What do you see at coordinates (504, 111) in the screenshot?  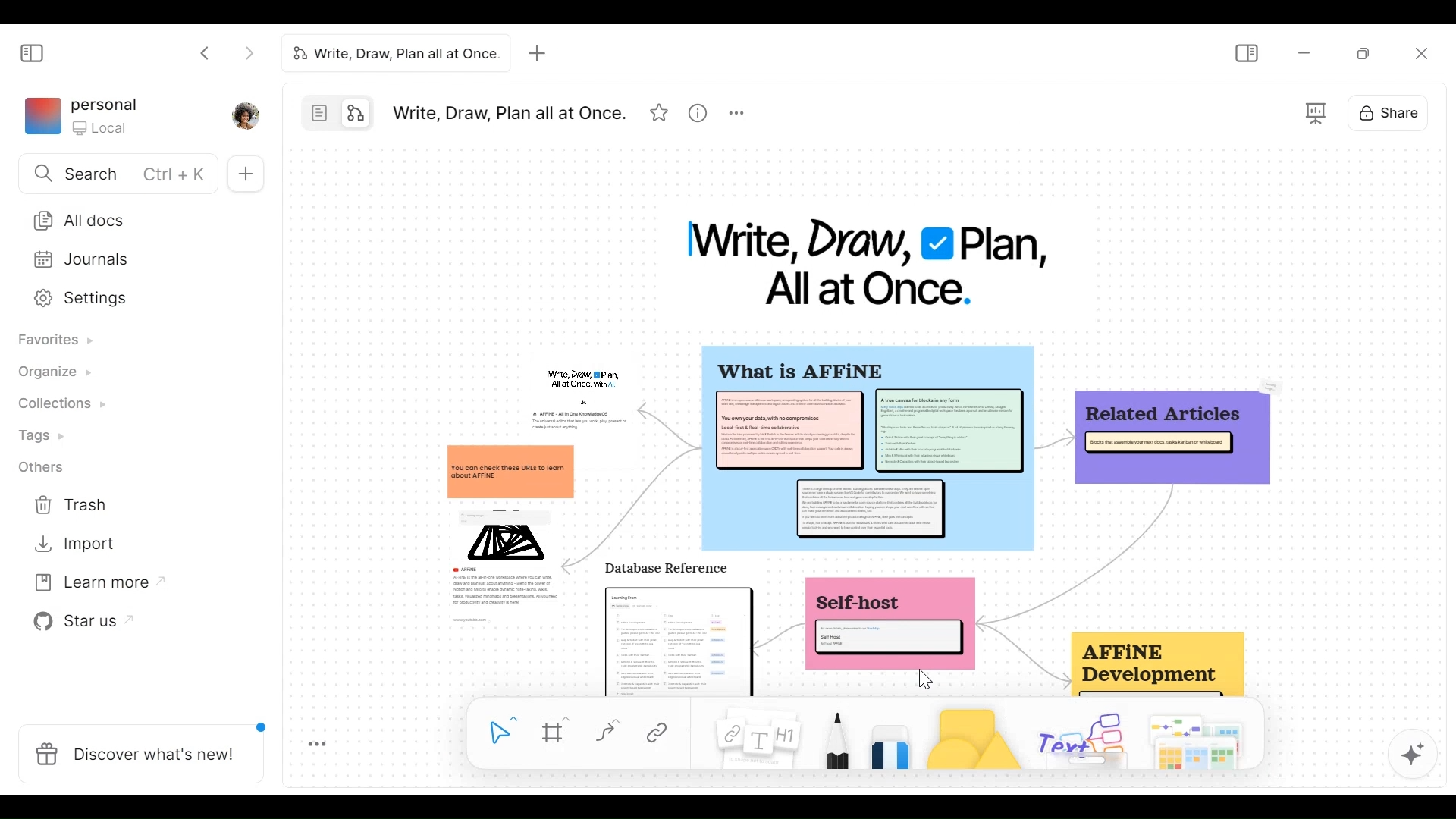 I see `Write, Draw, Plan all at Once.` at bounding box center [504, 111].